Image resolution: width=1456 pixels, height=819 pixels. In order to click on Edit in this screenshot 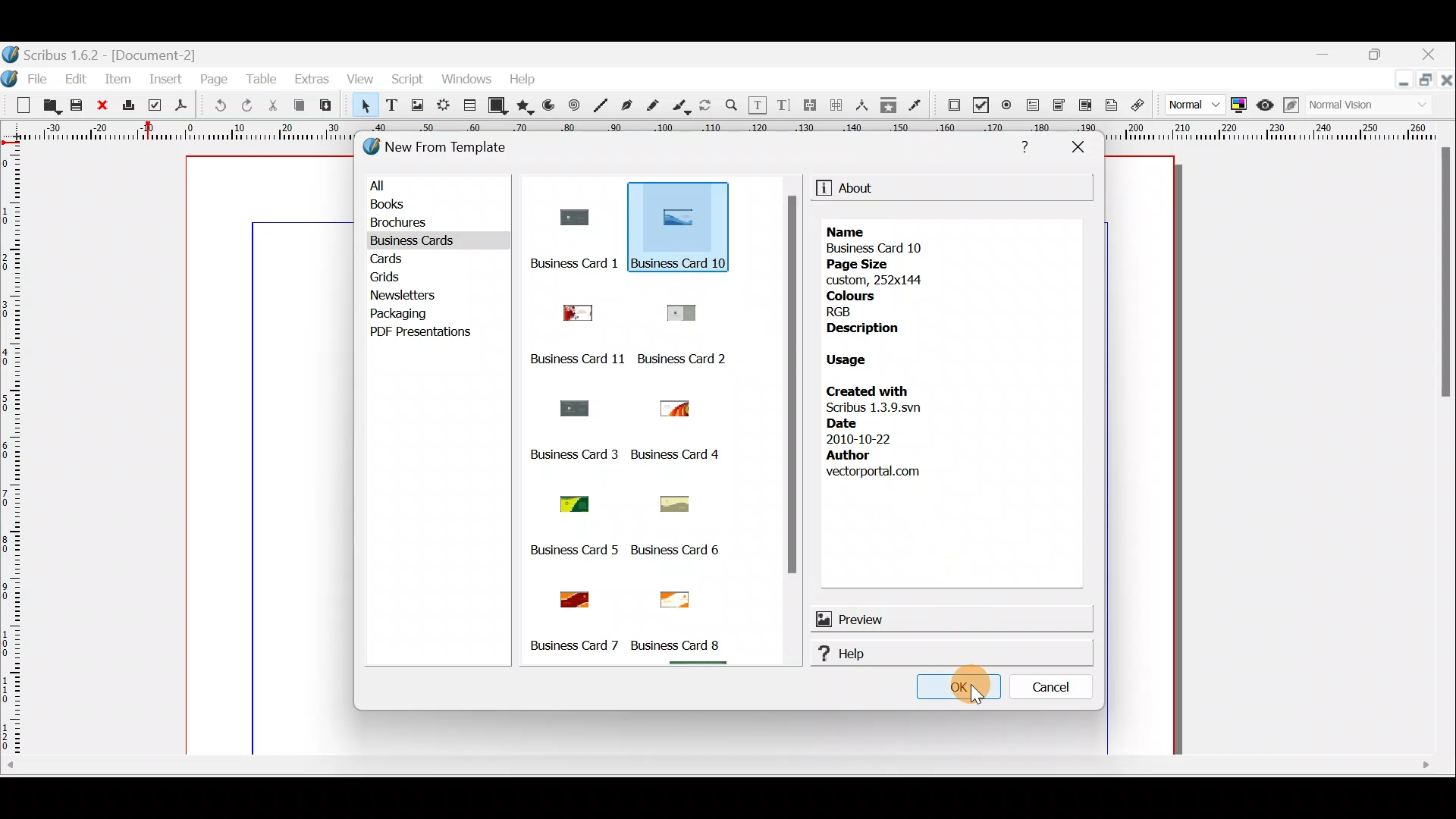, I will do `click(76, 80)`.